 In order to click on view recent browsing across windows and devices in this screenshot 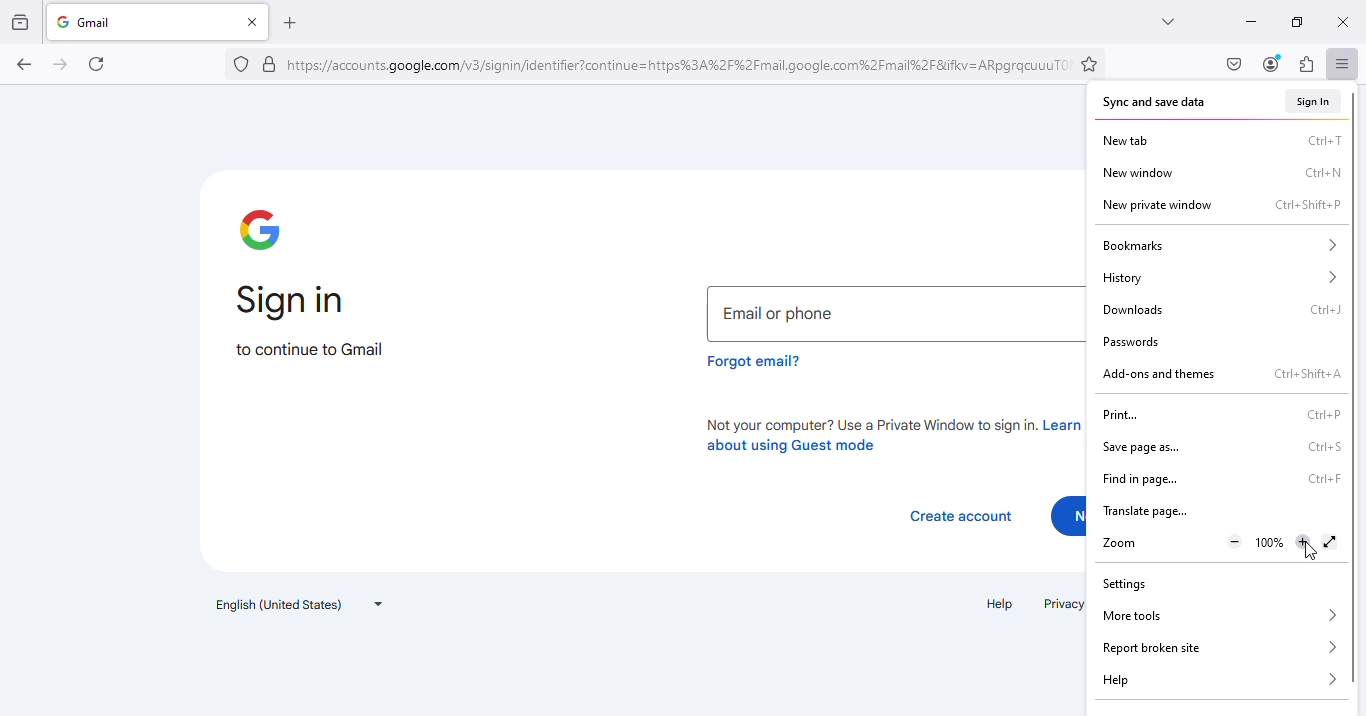, I will do `click(21, 22)`.